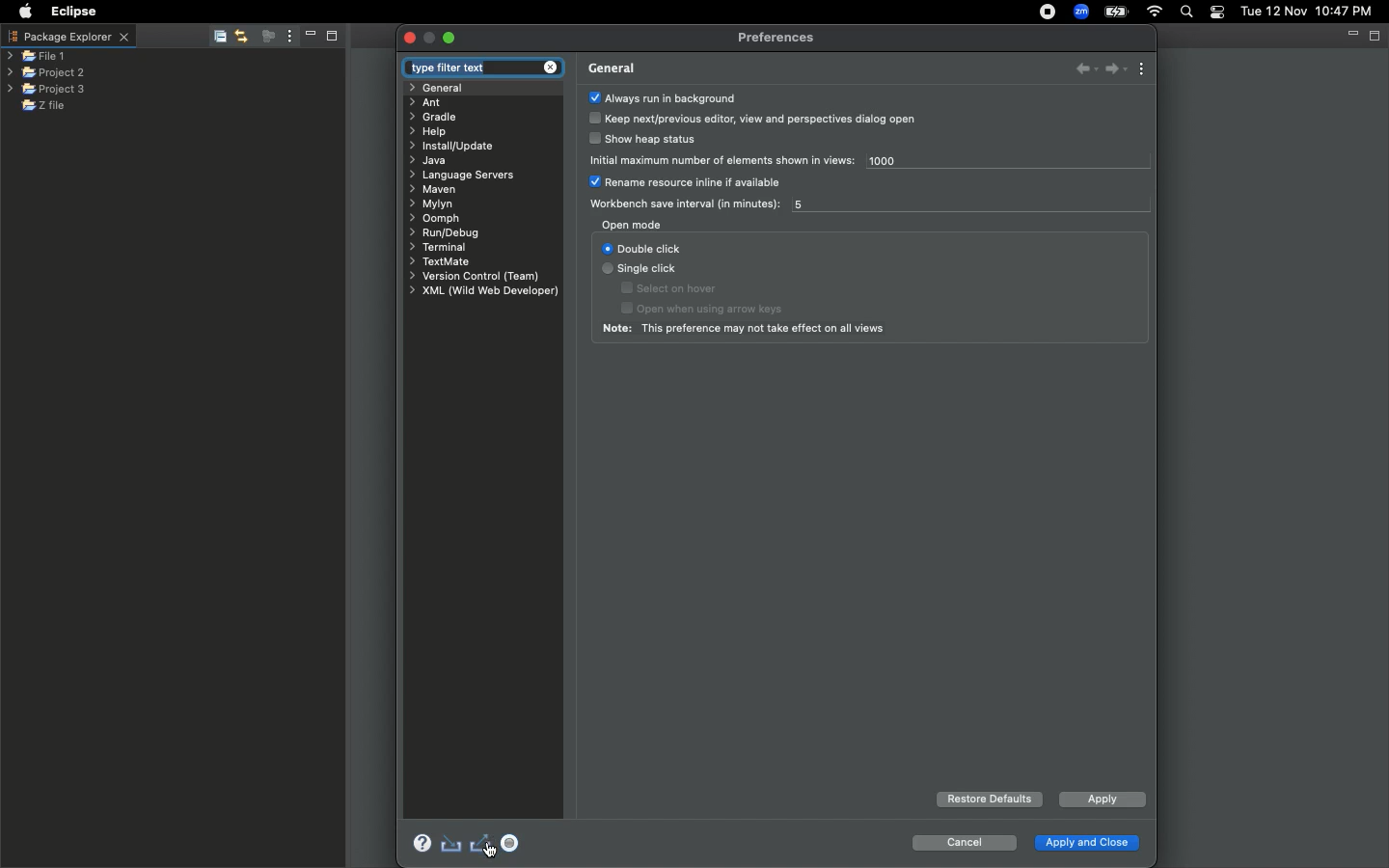  I want to click on Eclipse, so click(75, 14).